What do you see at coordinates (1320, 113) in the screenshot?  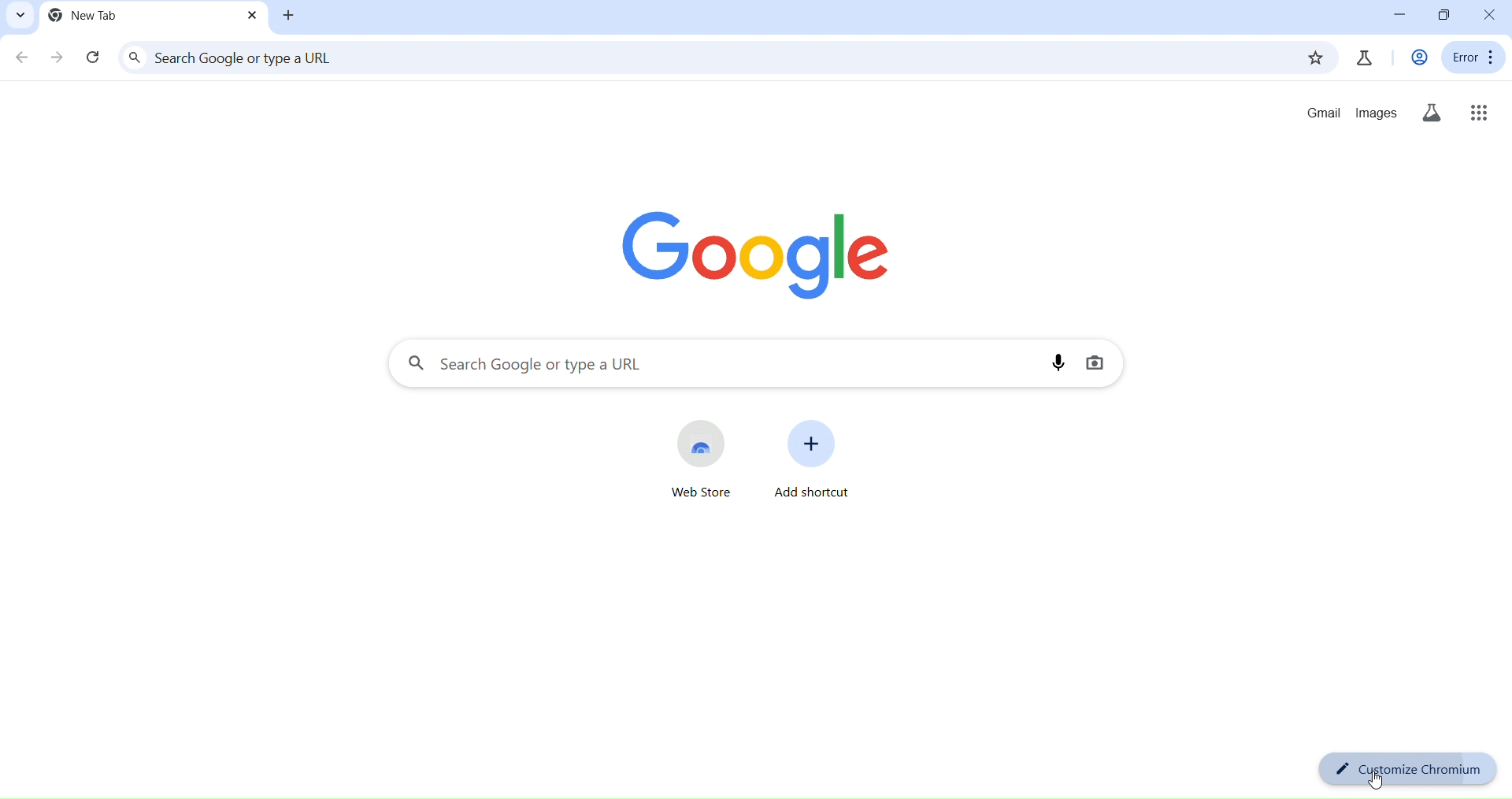 I see `gmail` at bounding box center [1320, 113].